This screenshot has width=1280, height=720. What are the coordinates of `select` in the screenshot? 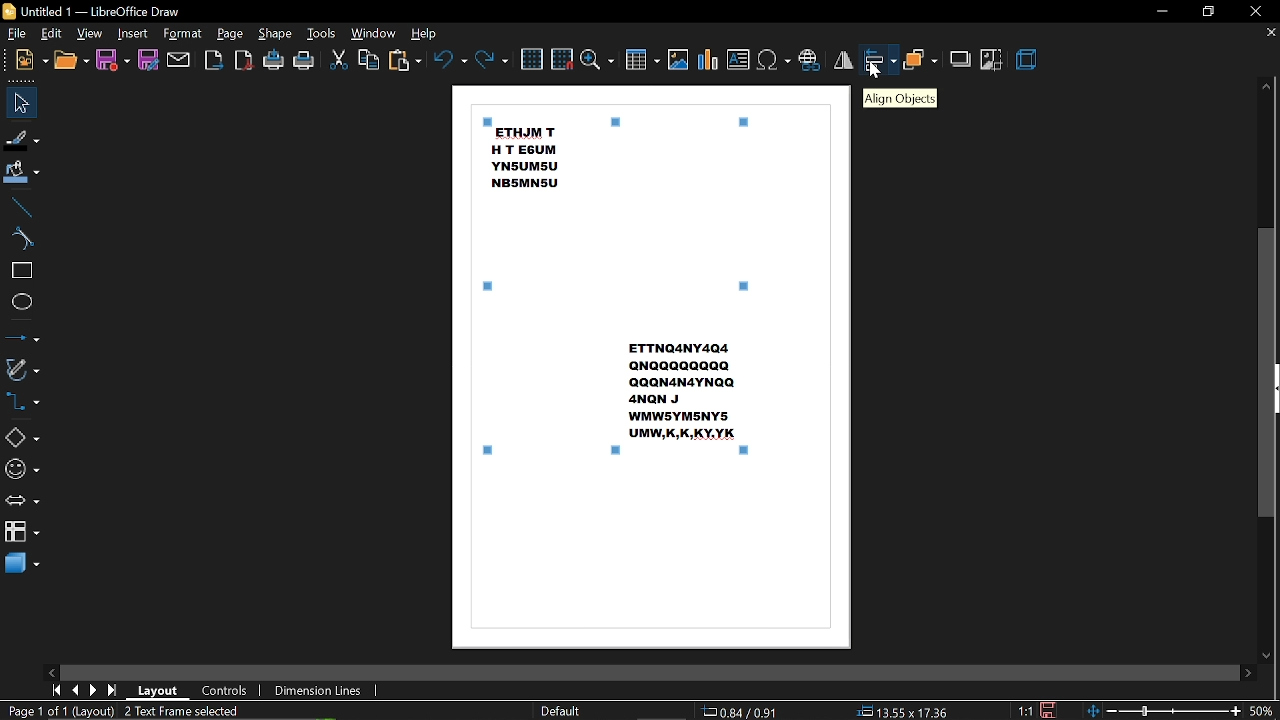 It's located at (21, 103).